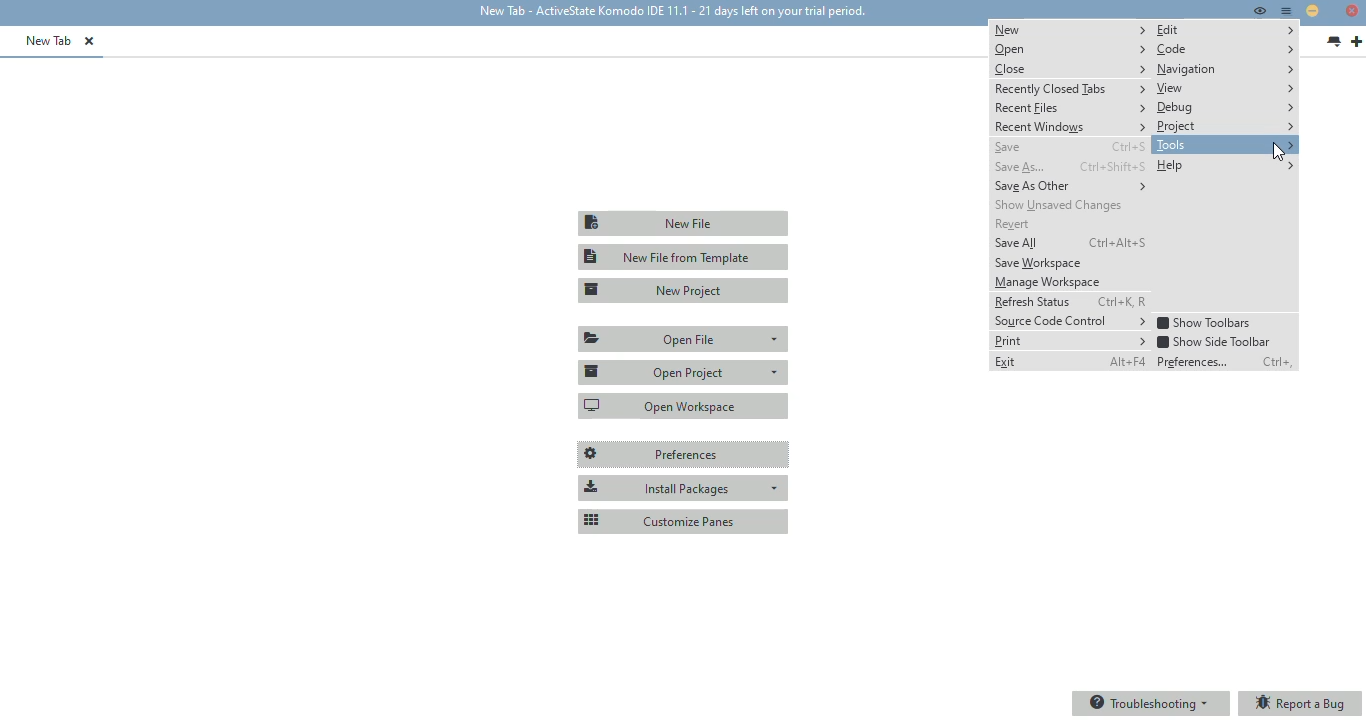  Describe the element at coordinates (1112, 166) in the screenshot. I see `shortcut for save as` at that location.